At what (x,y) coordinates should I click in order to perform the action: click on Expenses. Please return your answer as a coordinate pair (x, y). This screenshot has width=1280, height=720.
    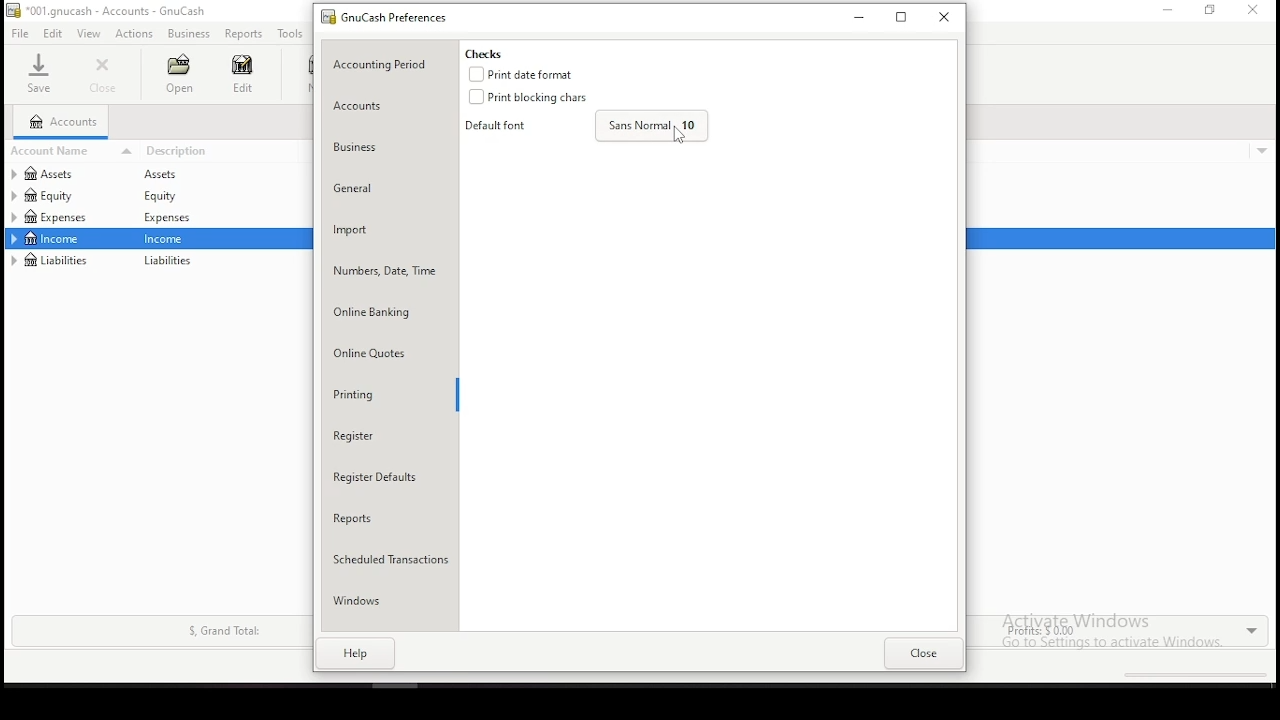
    Looking at the image, I should click on (165, 219).